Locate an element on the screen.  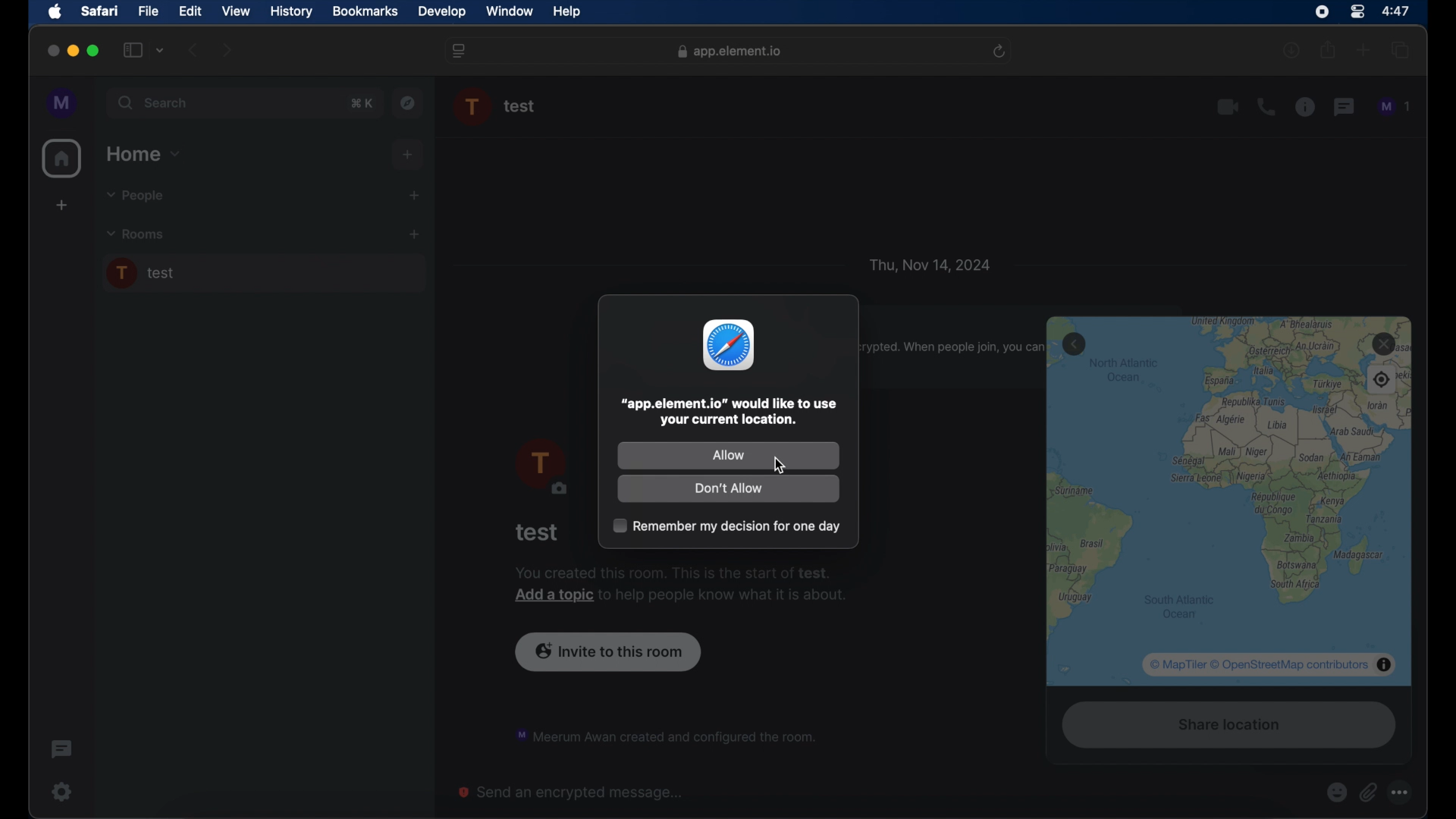
video call is located at coordinates (1228, 107).